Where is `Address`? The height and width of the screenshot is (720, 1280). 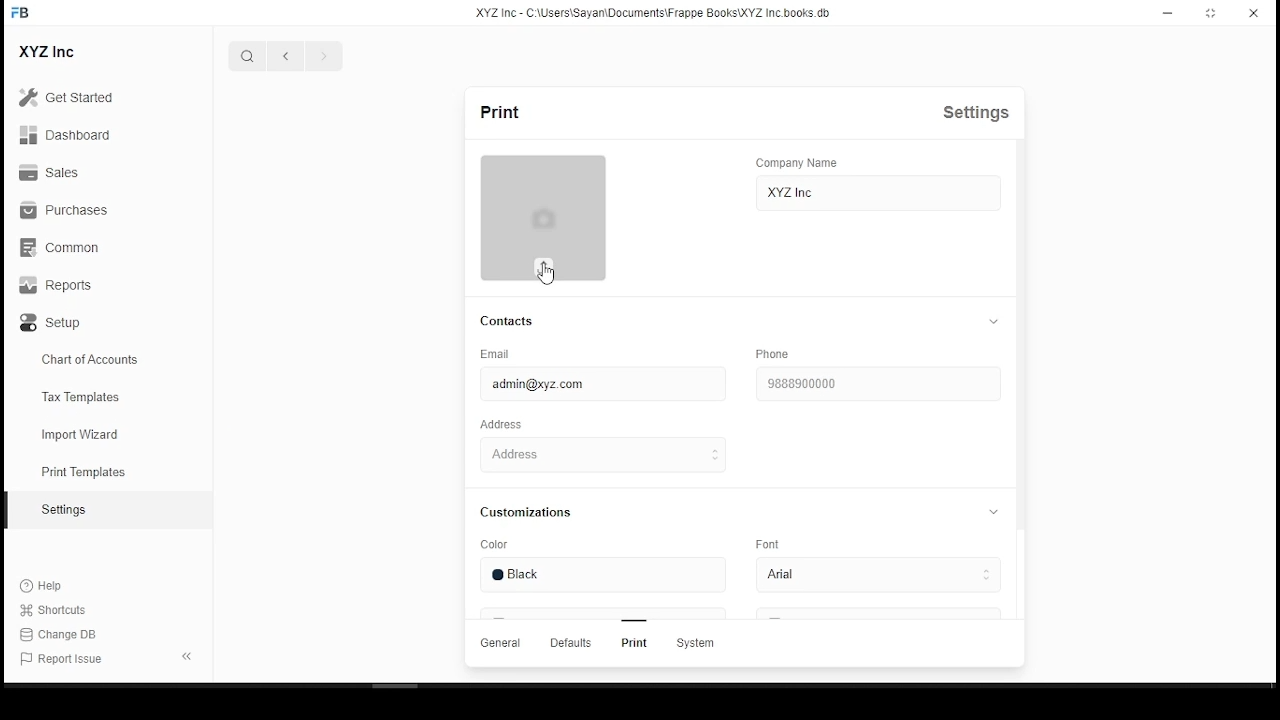
Address is located at coordinates (500, 425).